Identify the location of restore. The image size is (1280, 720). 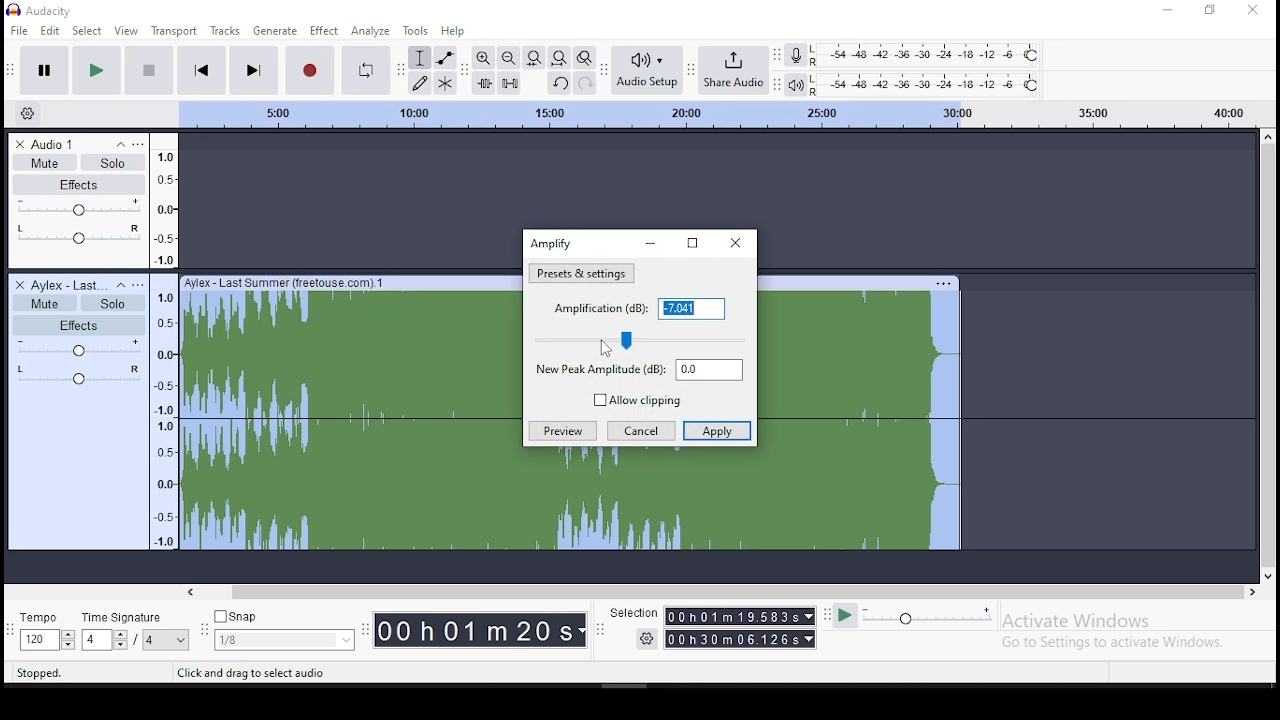
(1209, 11).